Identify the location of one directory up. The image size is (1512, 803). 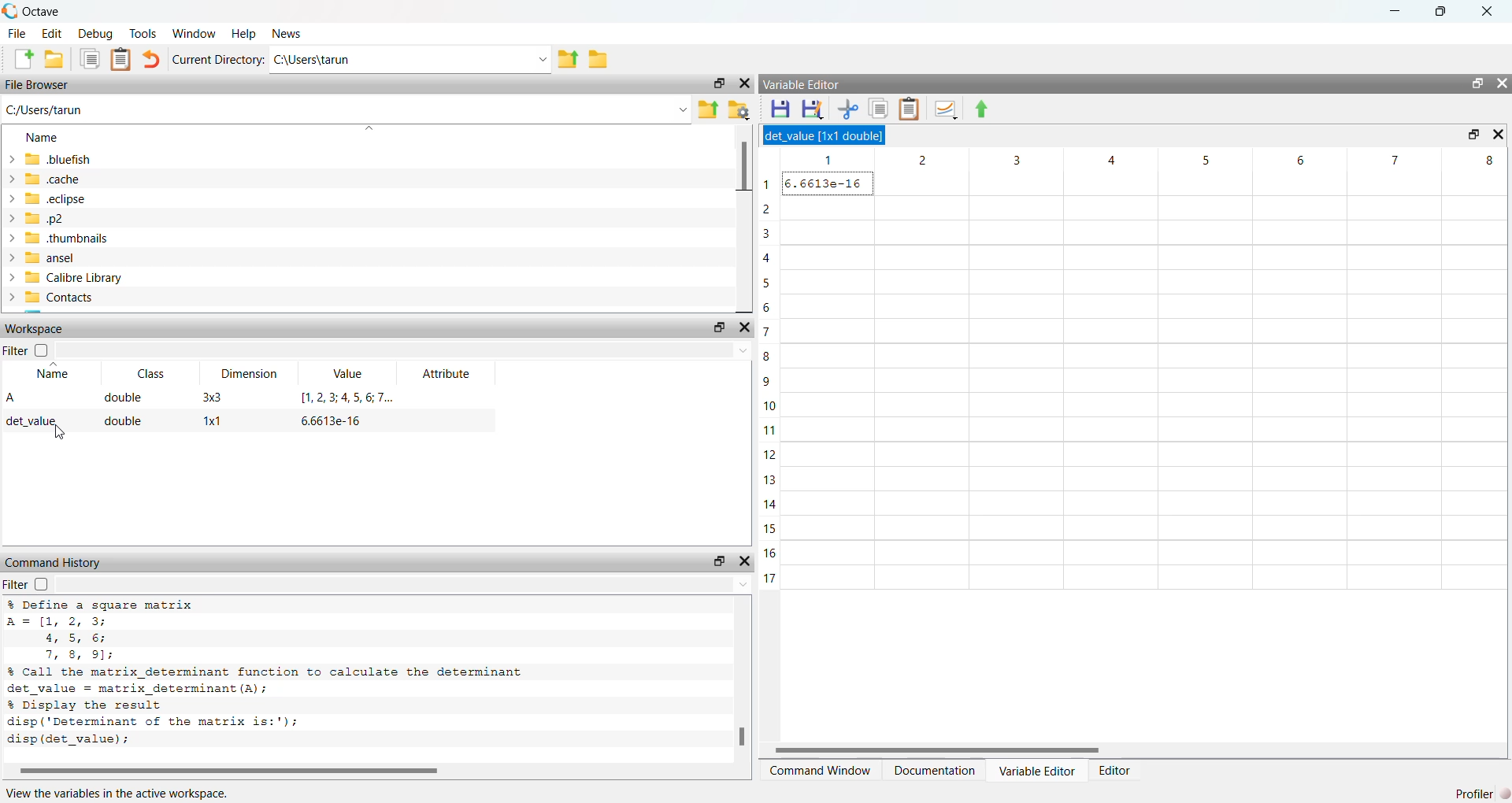
(707, 109).